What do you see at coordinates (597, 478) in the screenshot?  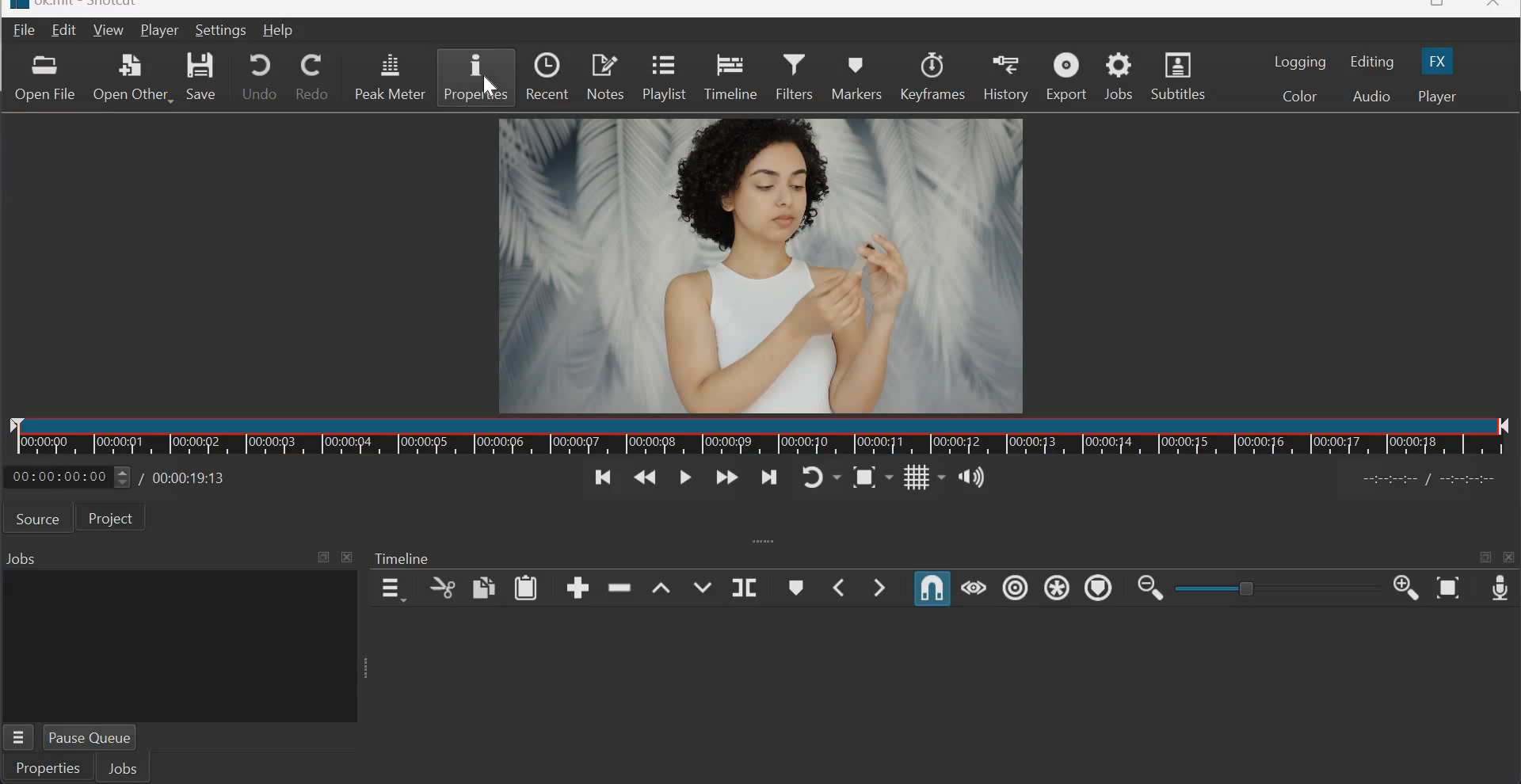 I see `Skip to the previous point` at bounding box center [597, 478].